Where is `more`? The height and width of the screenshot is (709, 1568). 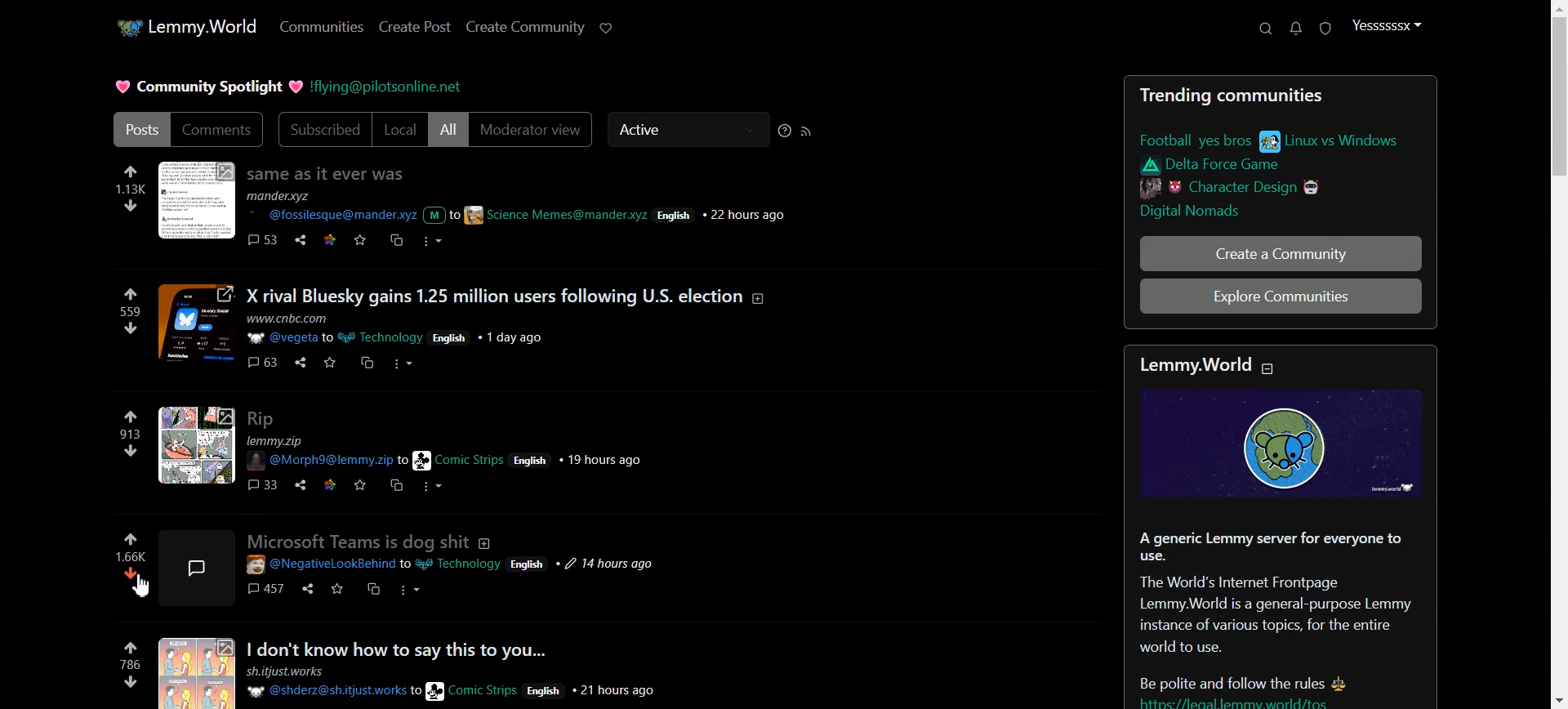 more is located at coordinates (409, 589).